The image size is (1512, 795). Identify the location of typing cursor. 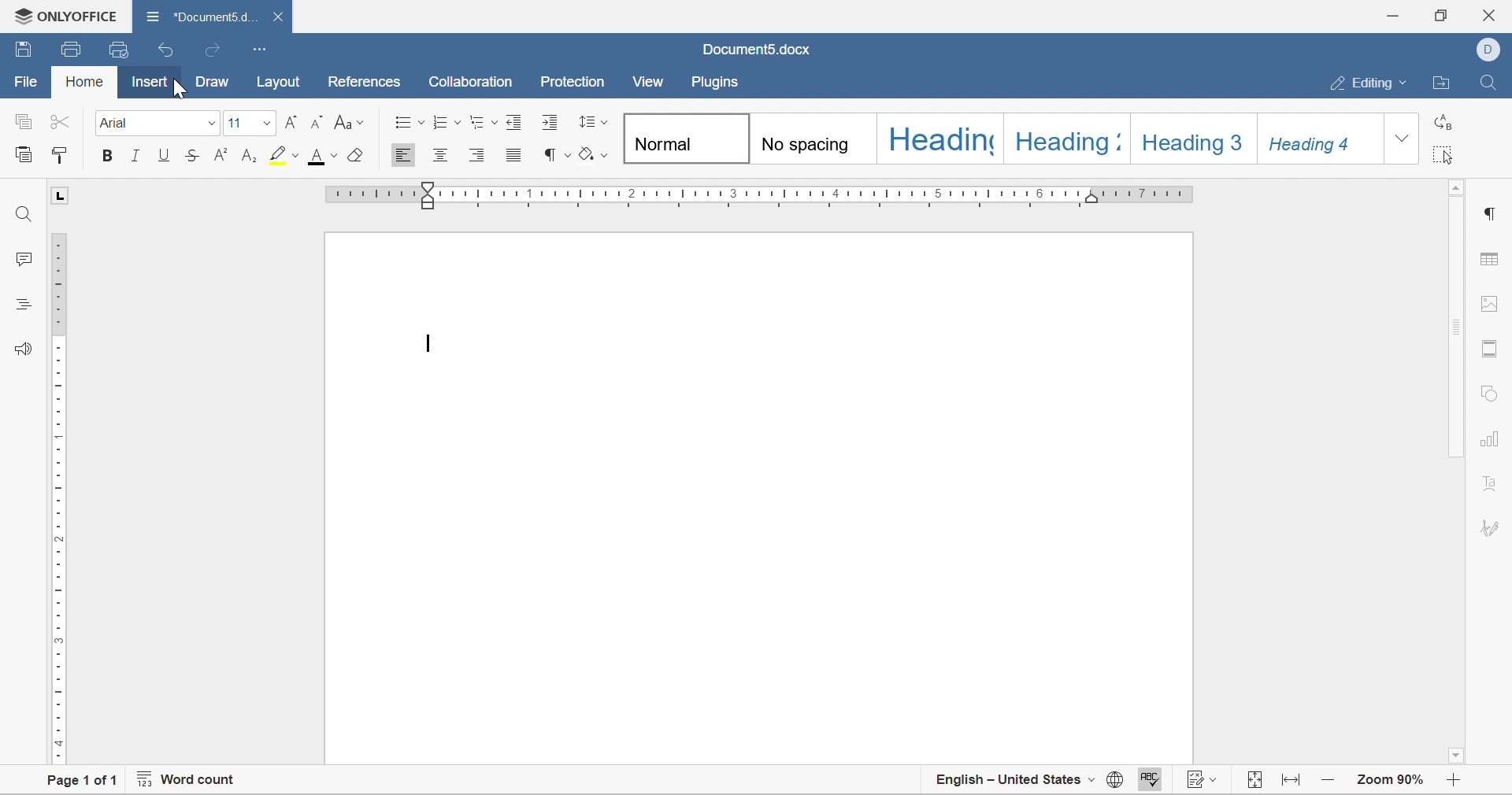
(424, 346).